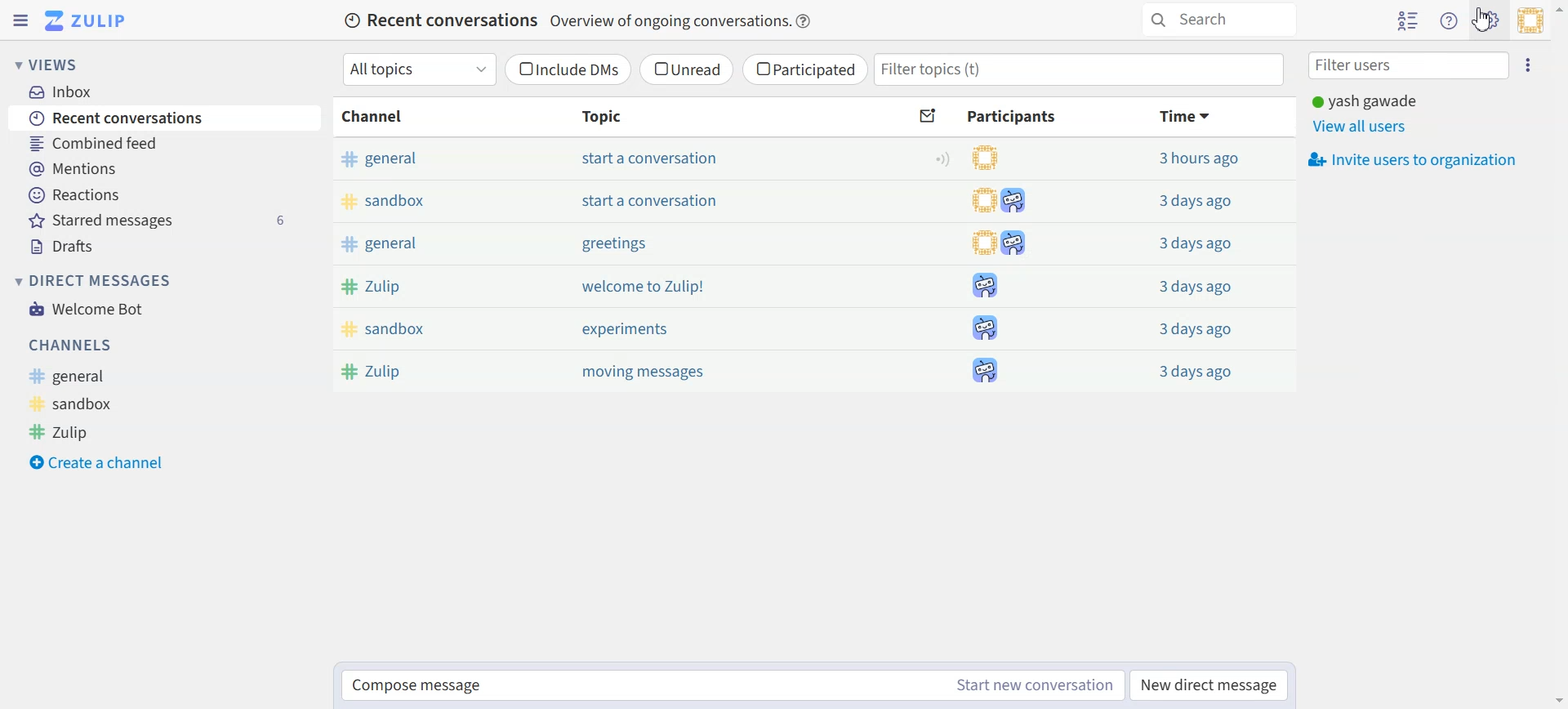  I want to click on Personal menu, so click(1530, 20).